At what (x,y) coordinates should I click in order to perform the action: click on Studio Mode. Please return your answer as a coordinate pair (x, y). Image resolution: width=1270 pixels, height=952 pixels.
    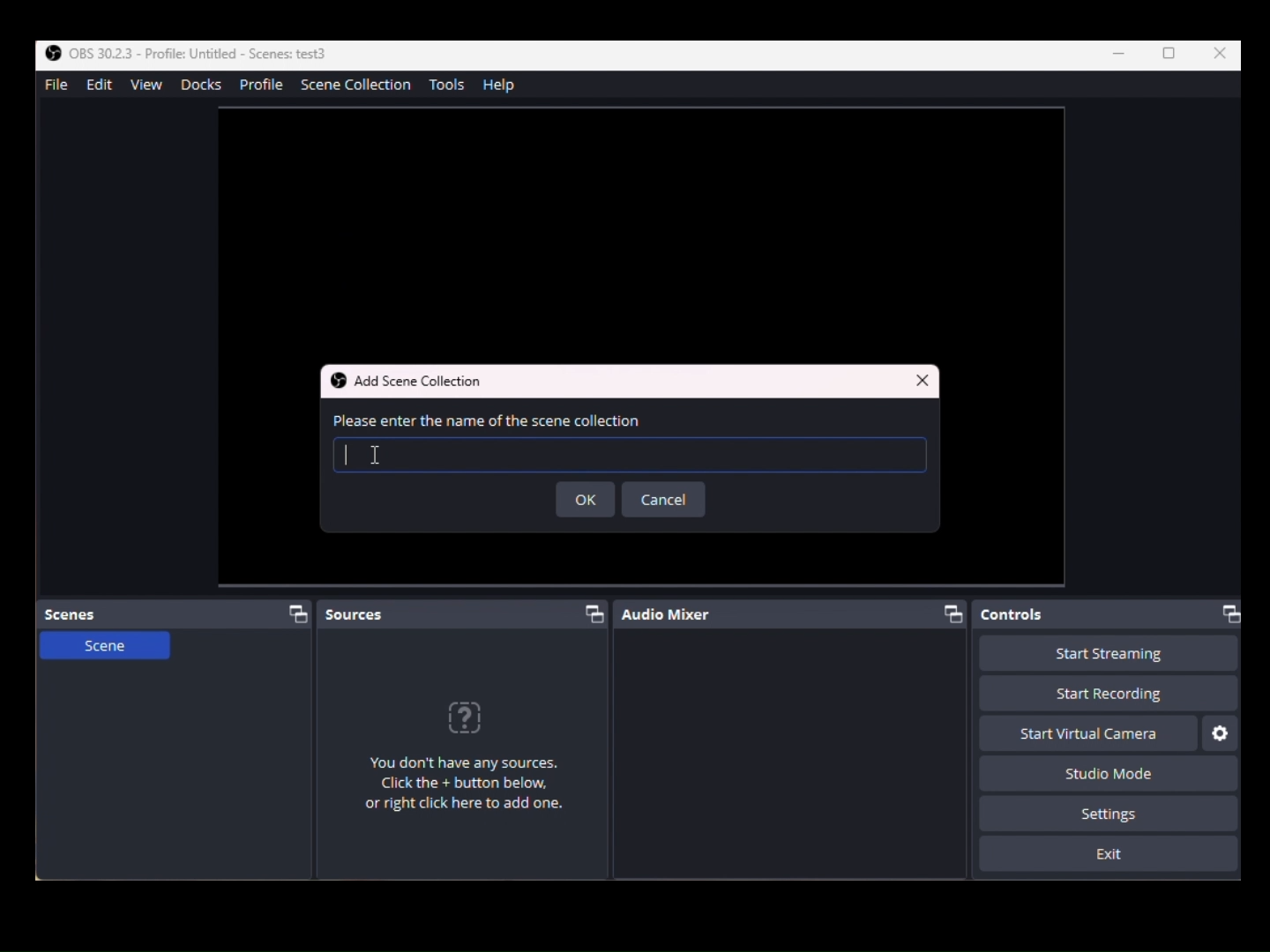
    Looking at the image, I should click on (1102, 772).